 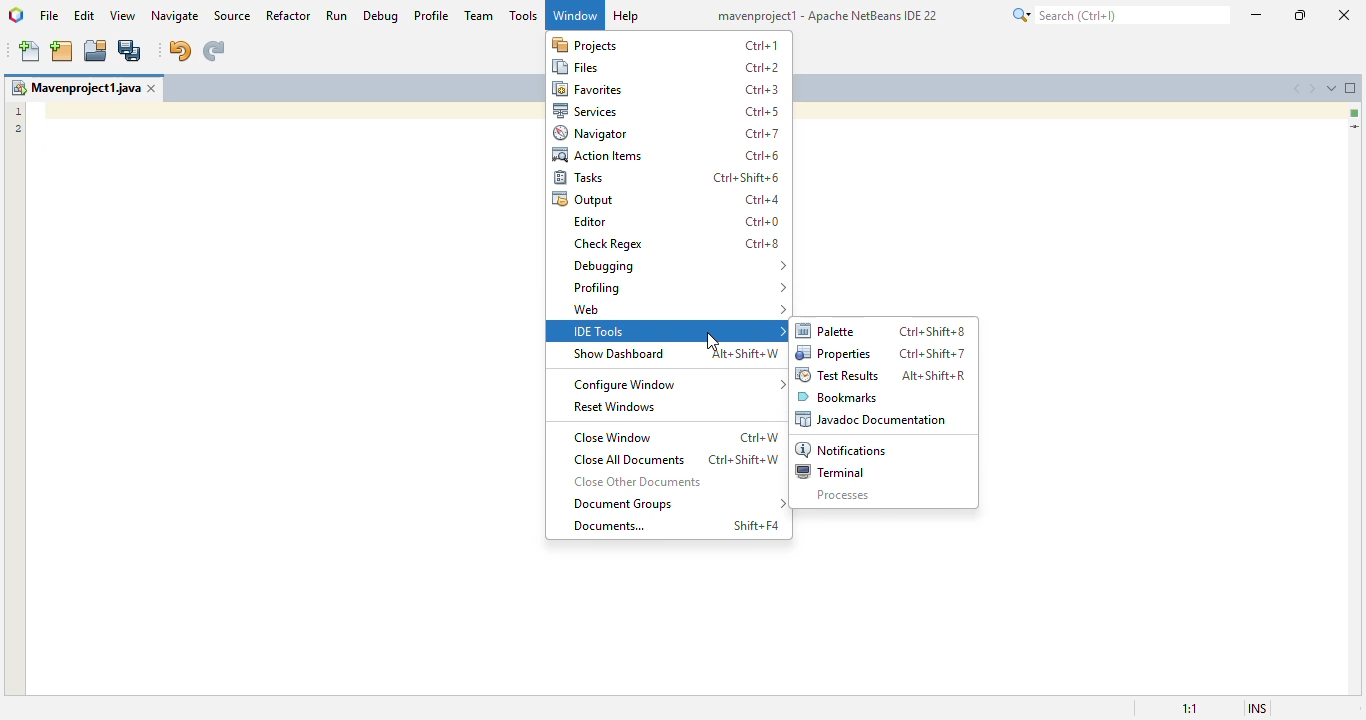 What do you see at coordinates (19, 129) in the screenshot?
I see `2` at bounding box center [19, 129].